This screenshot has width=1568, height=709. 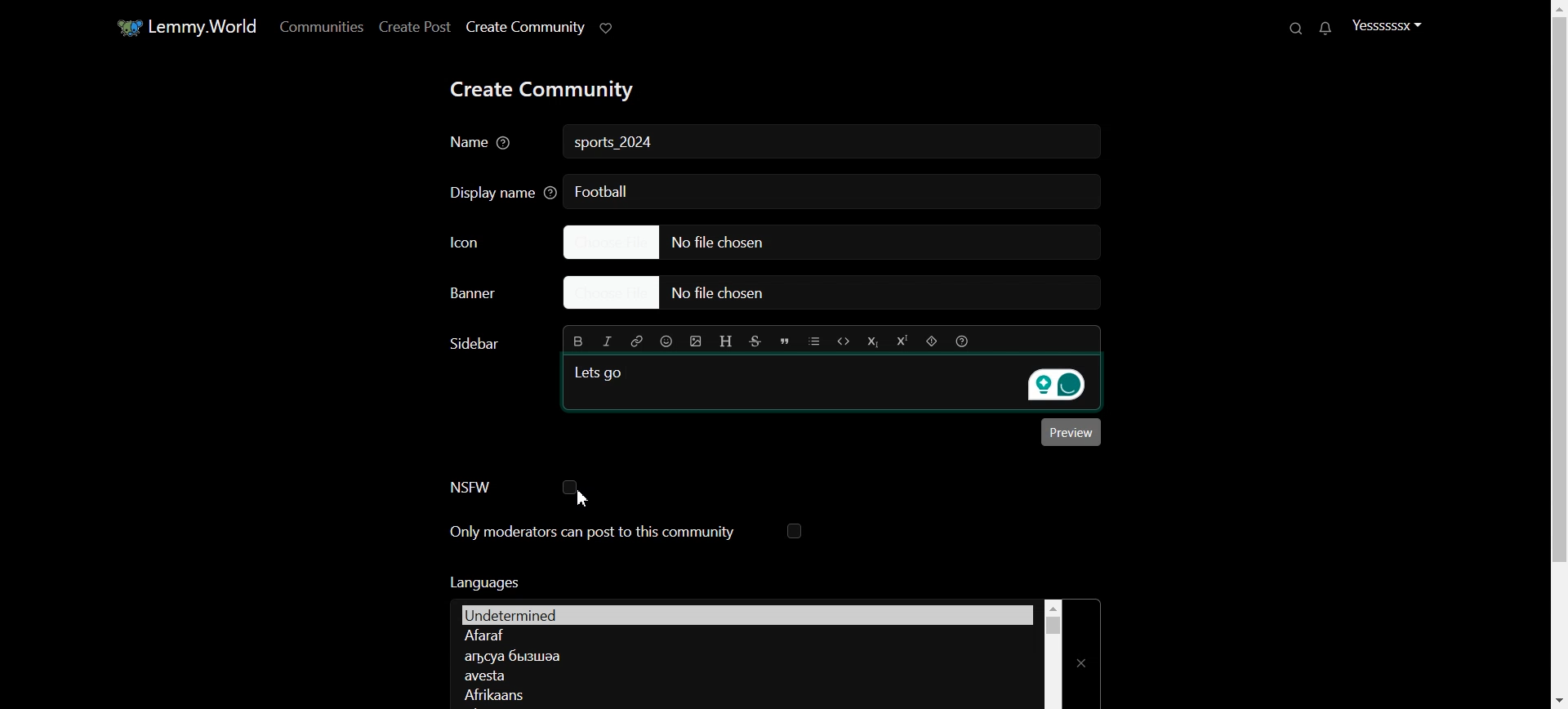 What do you see at coordinates (844, 341) in the screenshot?
I see `Code` at bounding box center [844, 341].